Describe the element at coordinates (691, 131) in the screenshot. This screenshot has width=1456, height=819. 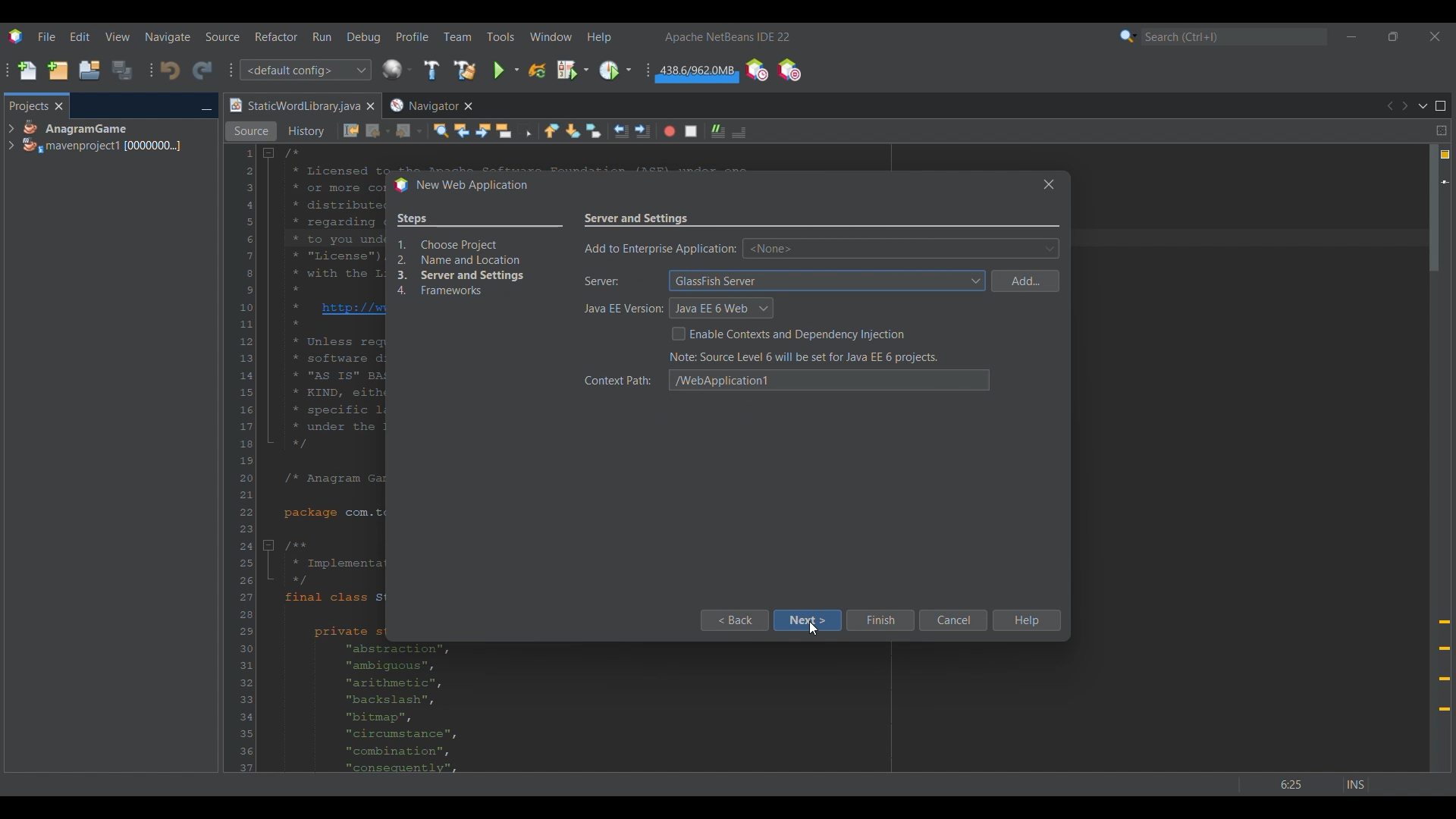
I see `Stop macro recording` at that location.